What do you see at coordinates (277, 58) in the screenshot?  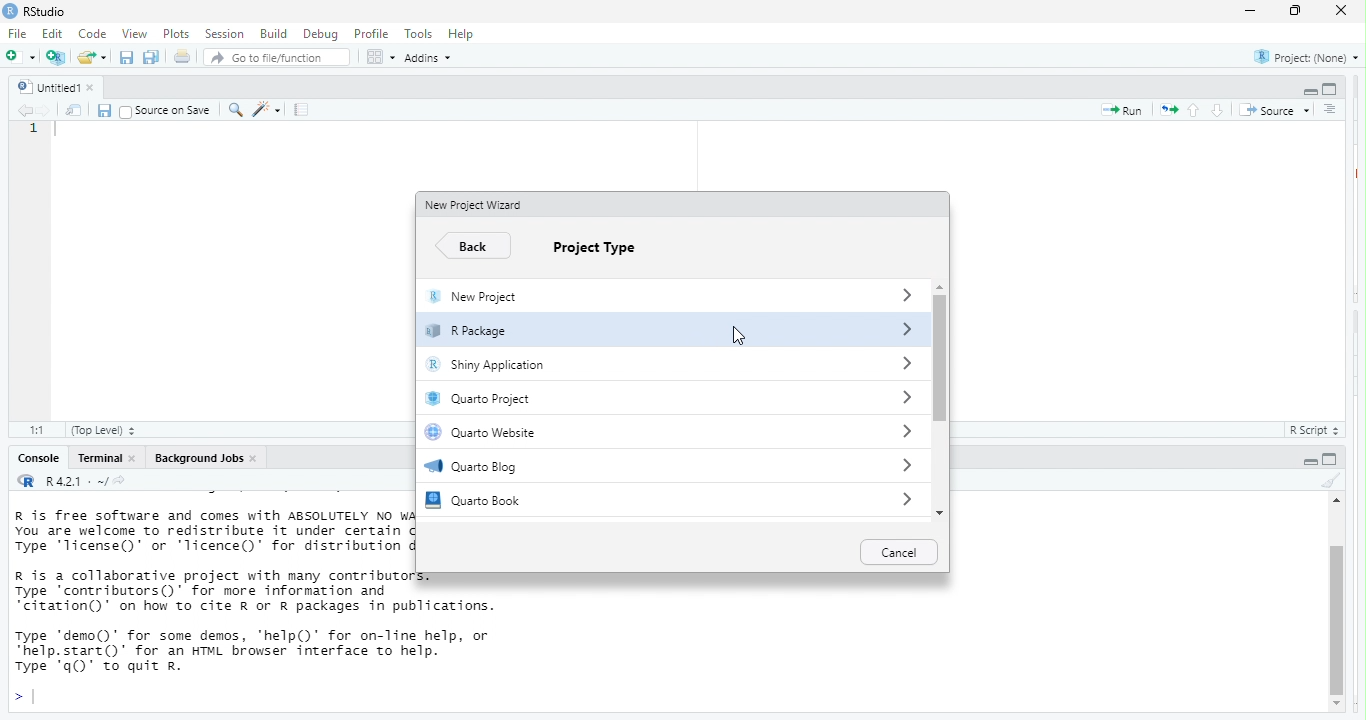 I see ` Go to fie/function` at bounding box center [277, 58].